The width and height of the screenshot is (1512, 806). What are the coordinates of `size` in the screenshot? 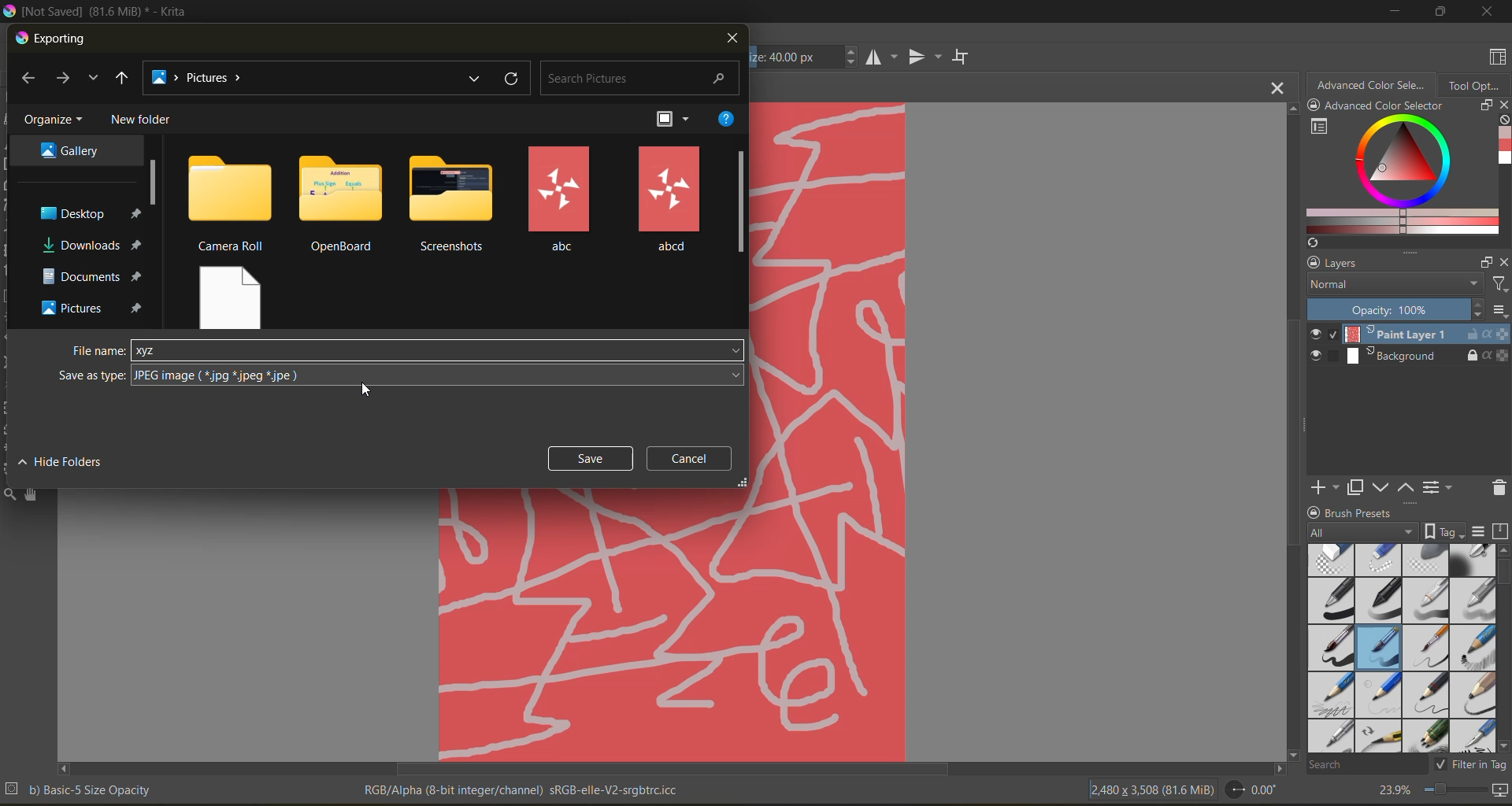 It's located at (806, 57).